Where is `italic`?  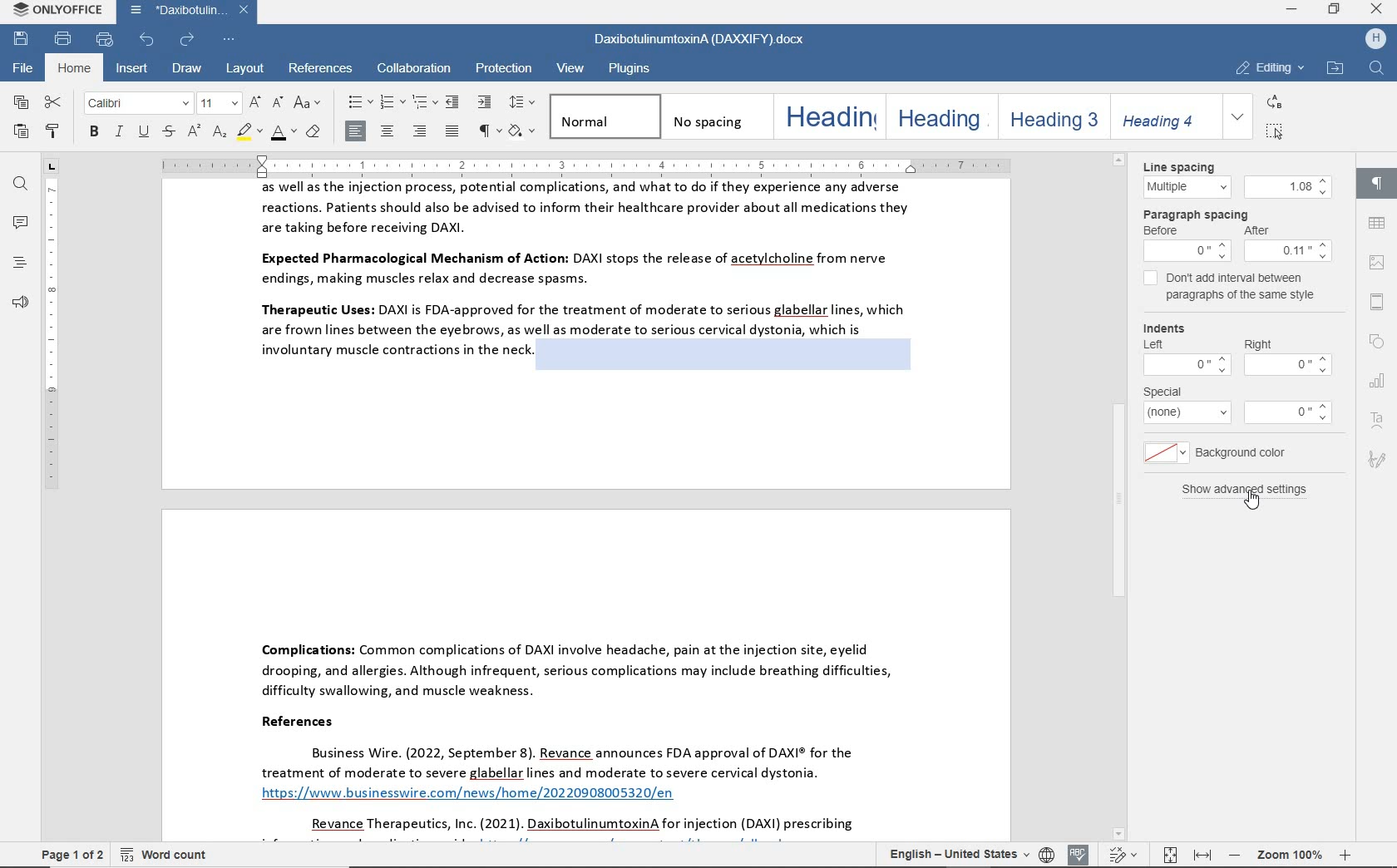
italic is located at coordinates (119, 133).